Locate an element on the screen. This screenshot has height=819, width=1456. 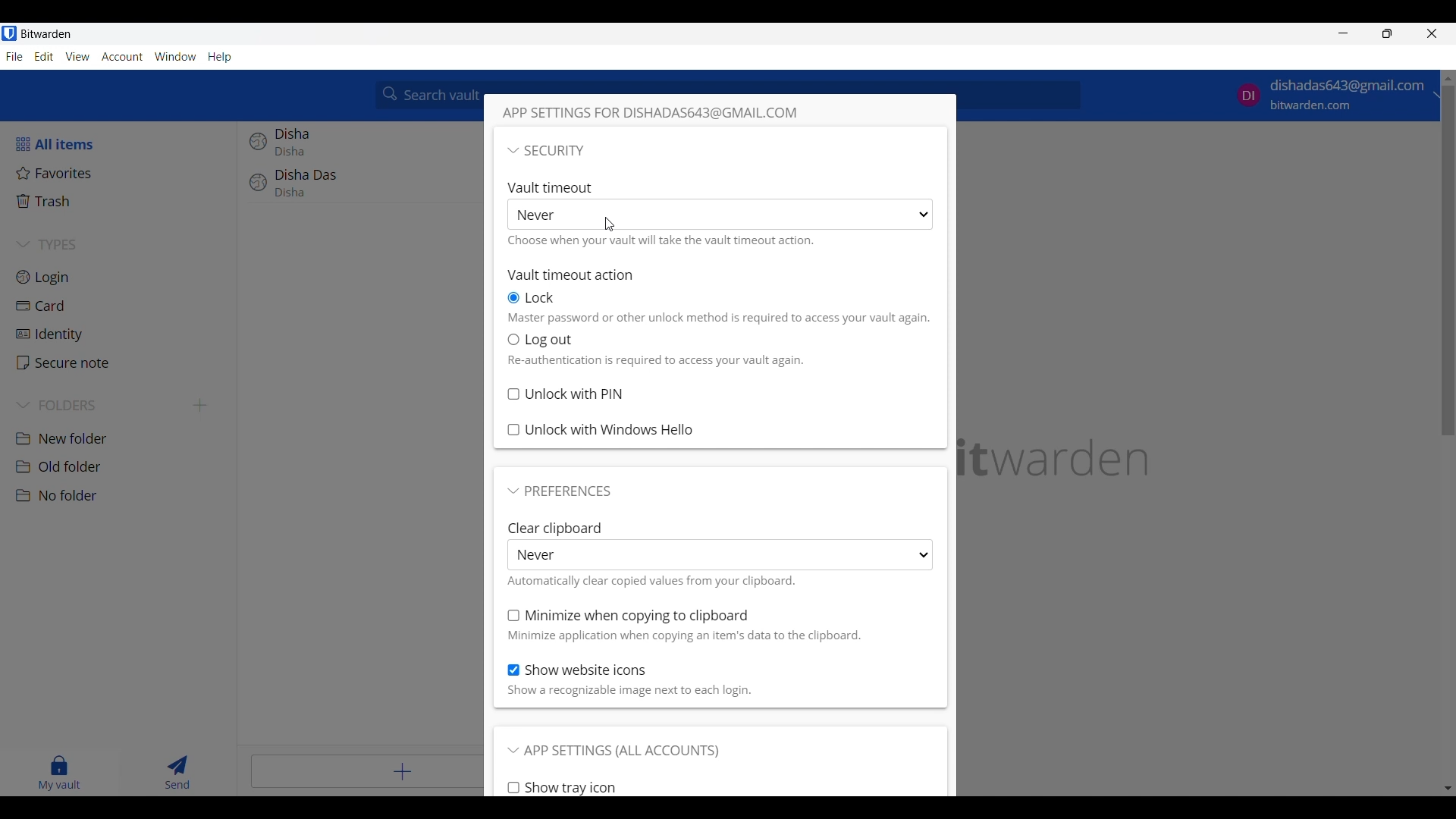
Lock on vault timeout, current selection is located at coordinates (534, 298).